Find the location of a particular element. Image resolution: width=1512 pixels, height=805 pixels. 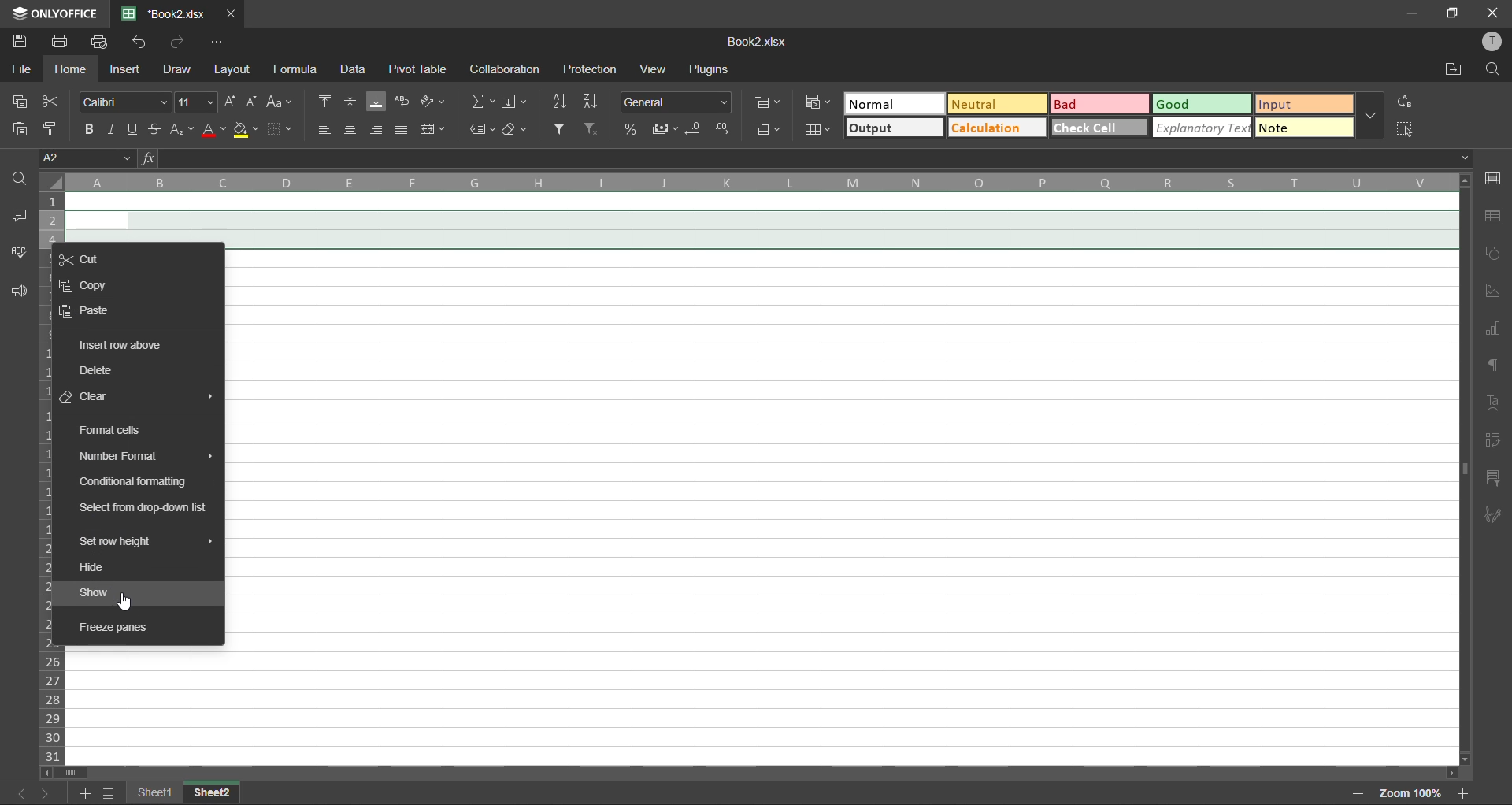

select from drop down list is located at coordinates (141, 507).